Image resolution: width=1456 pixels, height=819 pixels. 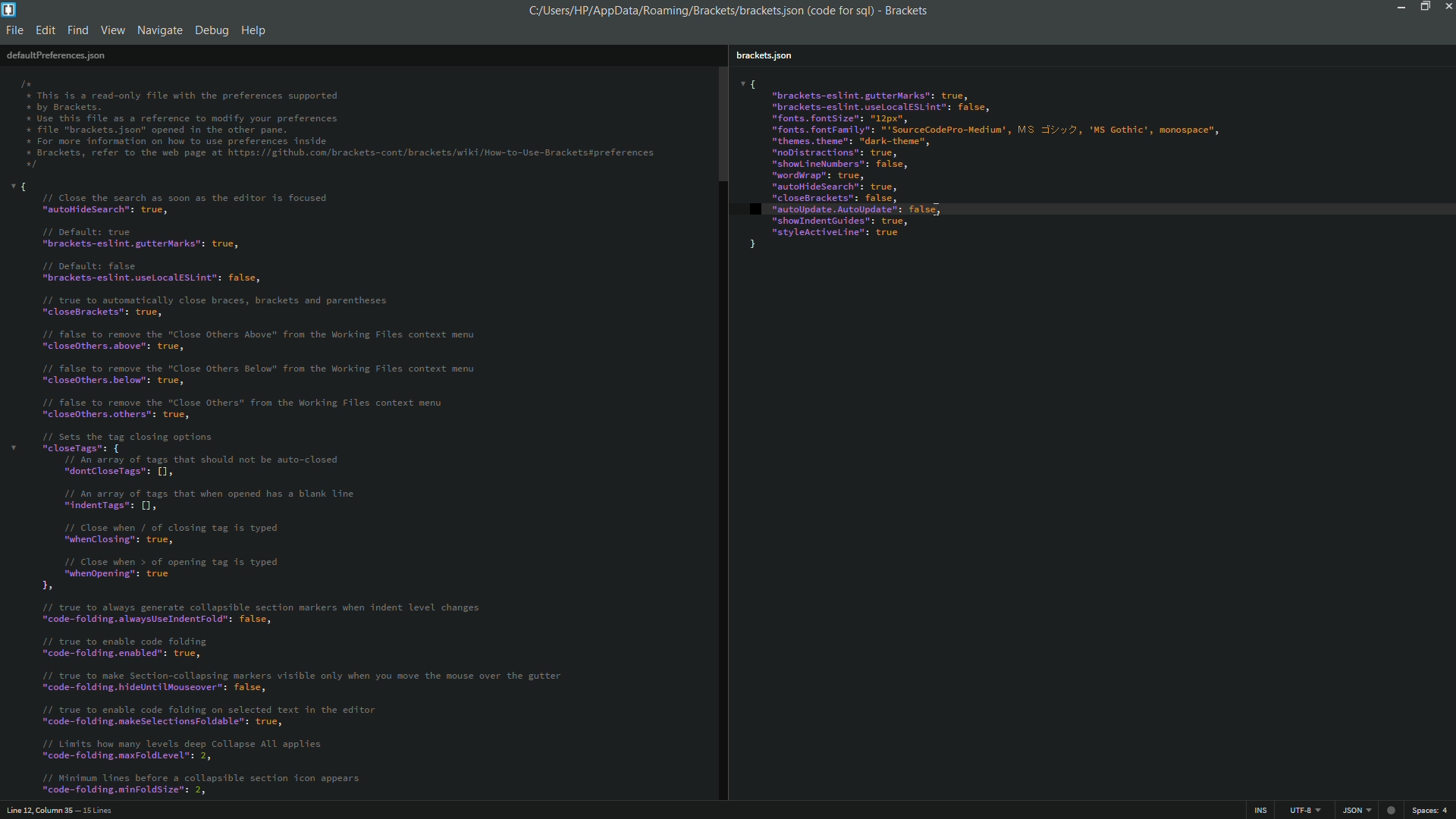 I want to click on edit menu, so click(x=45, y=30).